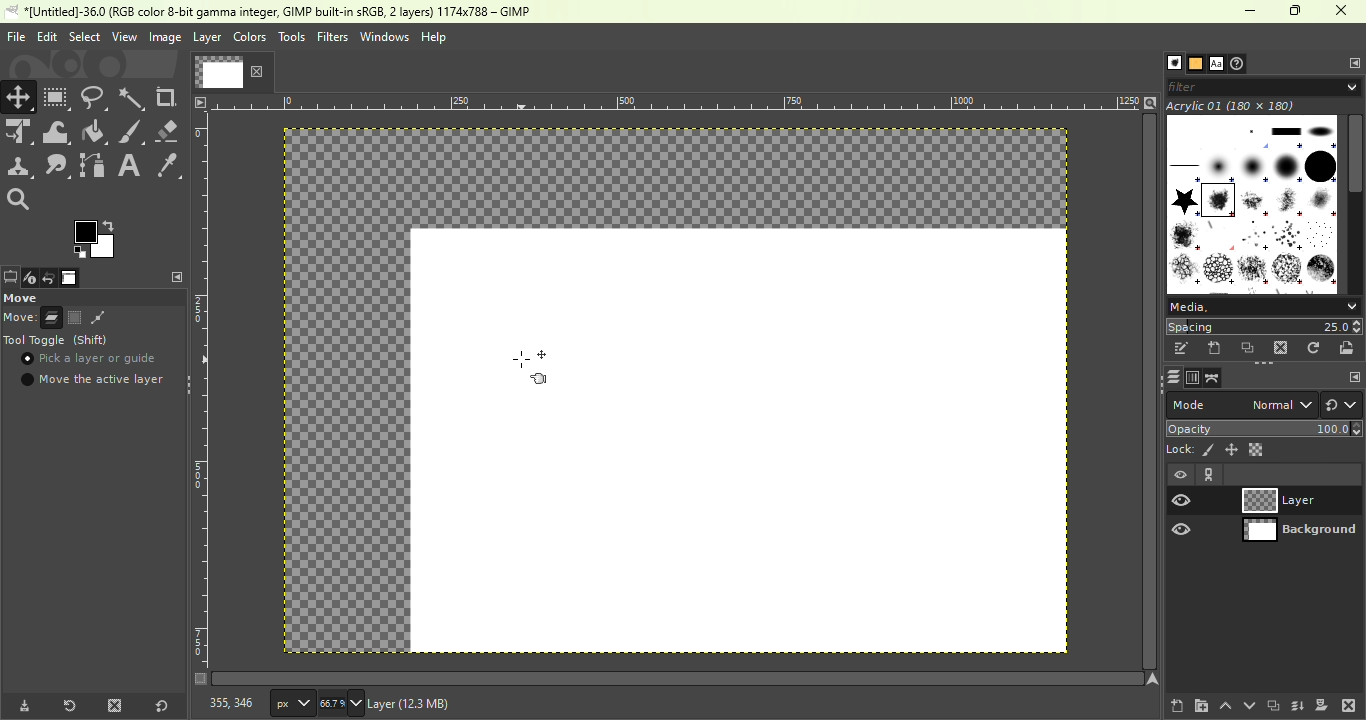 This screenshot has height=720, width=1366. What do you see at coordinates (1224, 706) in the screenshot?
I see `Move this layer to the top of the layer stack` at bounding box center [1224, 706].